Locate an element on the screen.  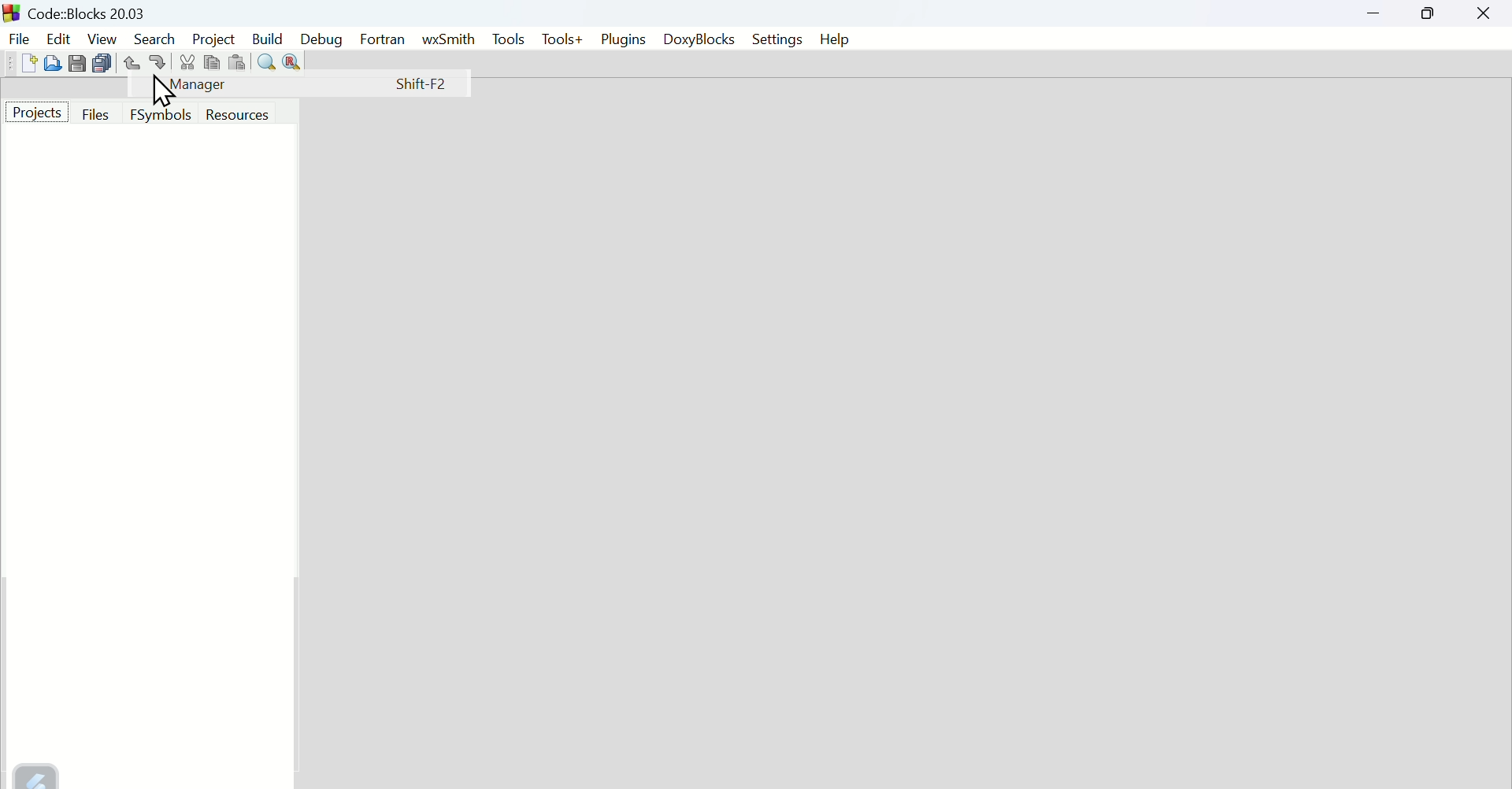
Debug is located at coordinates (321, 40).